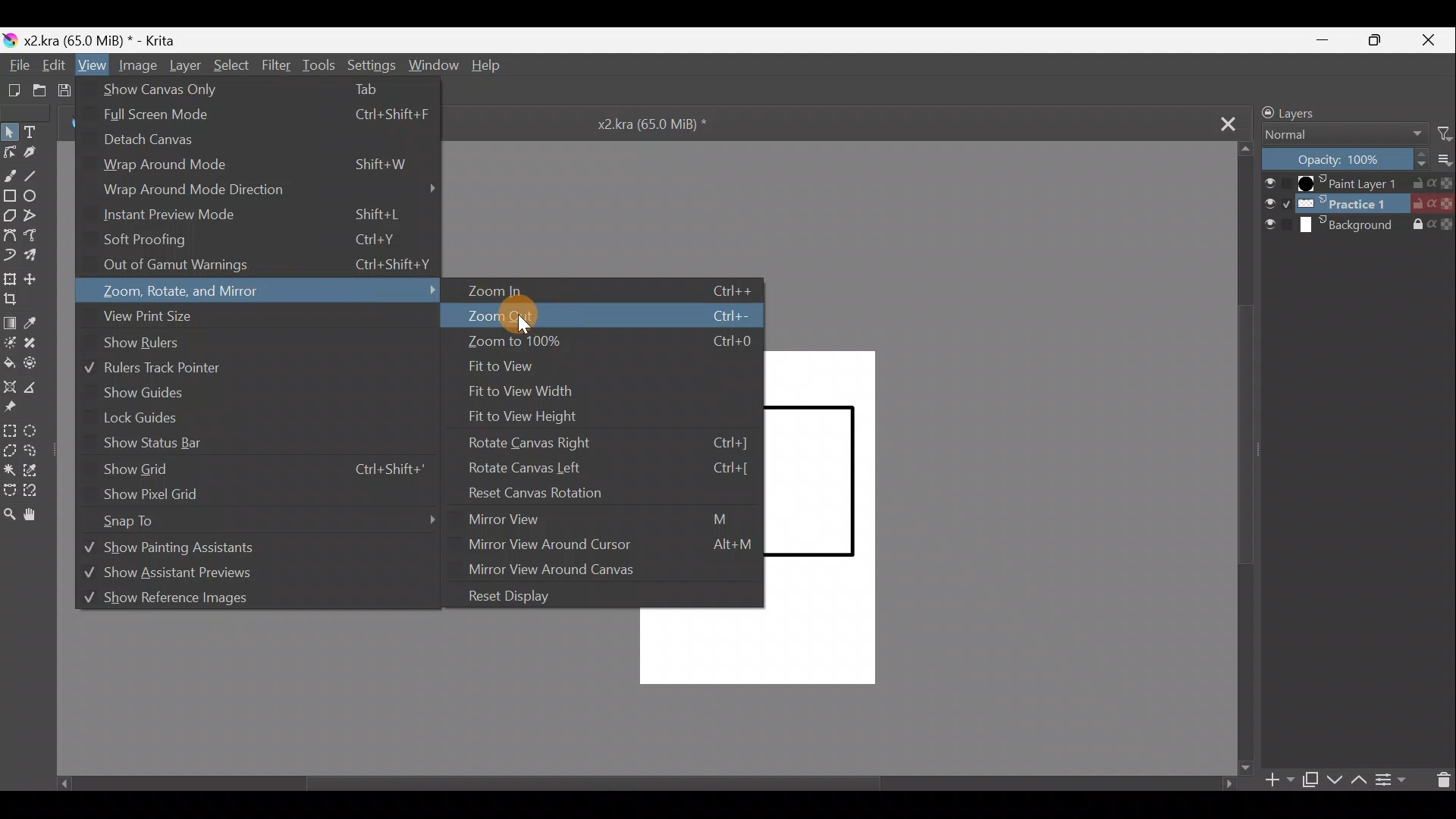 The width and height of the screenshot is (1456, 819). I want to click on Wrap around mode, so click(256, 168).